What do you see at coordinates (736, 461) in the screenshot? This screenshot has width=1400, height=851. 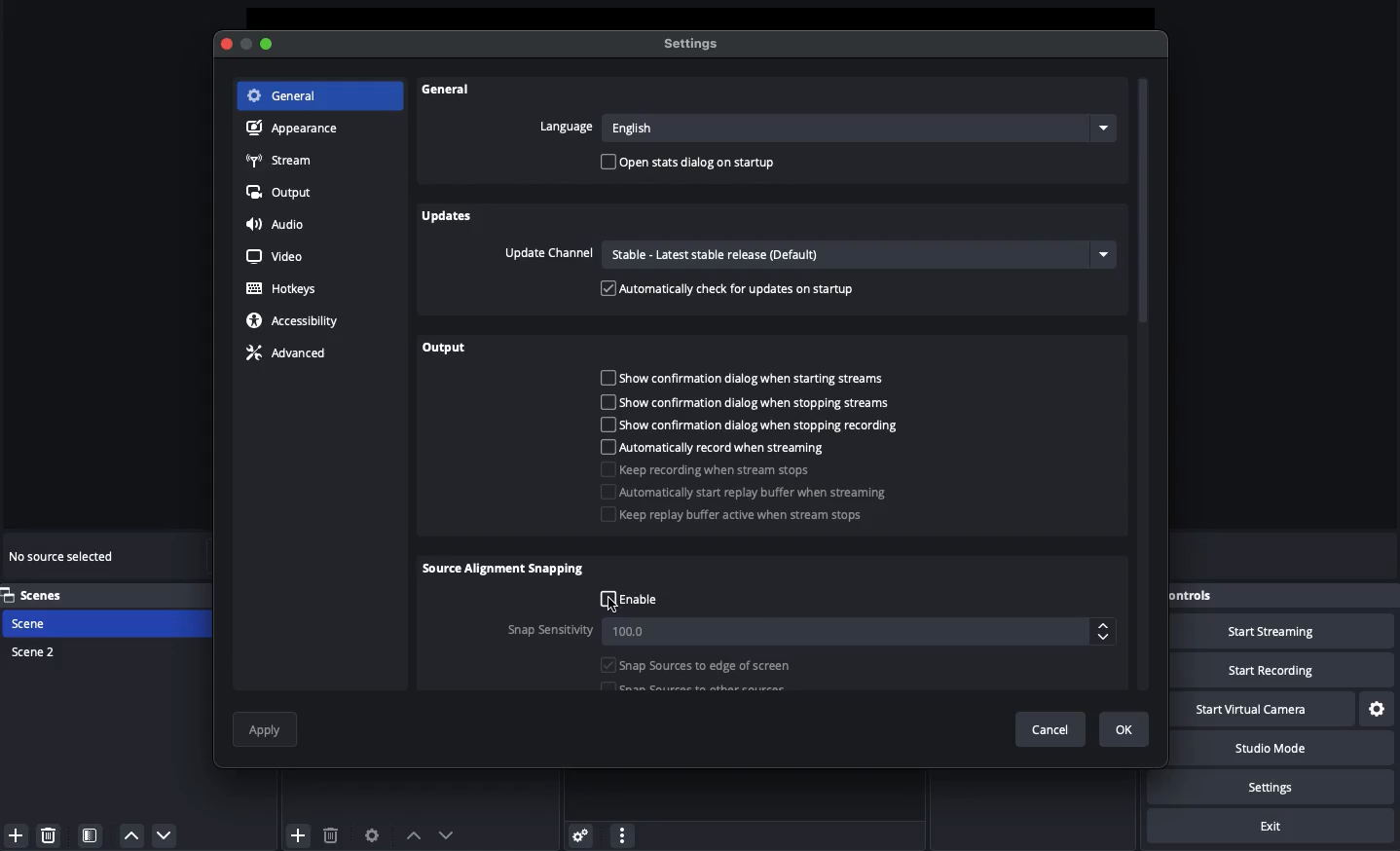 I see `Streaming` at bounding box center [736, 461].